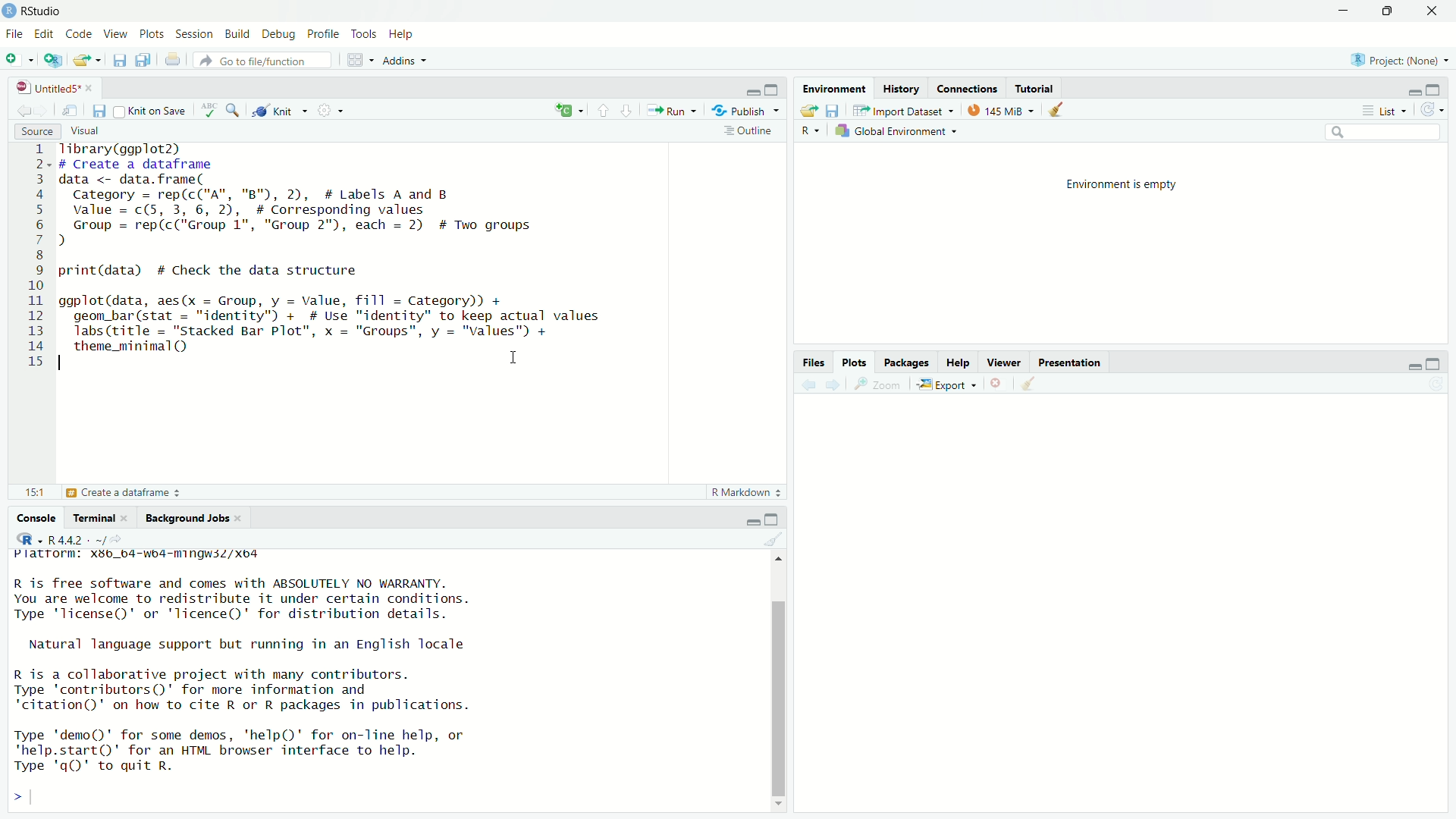 The height and width of the screenshot is (819, 1456). I want to click on Edit, so click(47, 33).